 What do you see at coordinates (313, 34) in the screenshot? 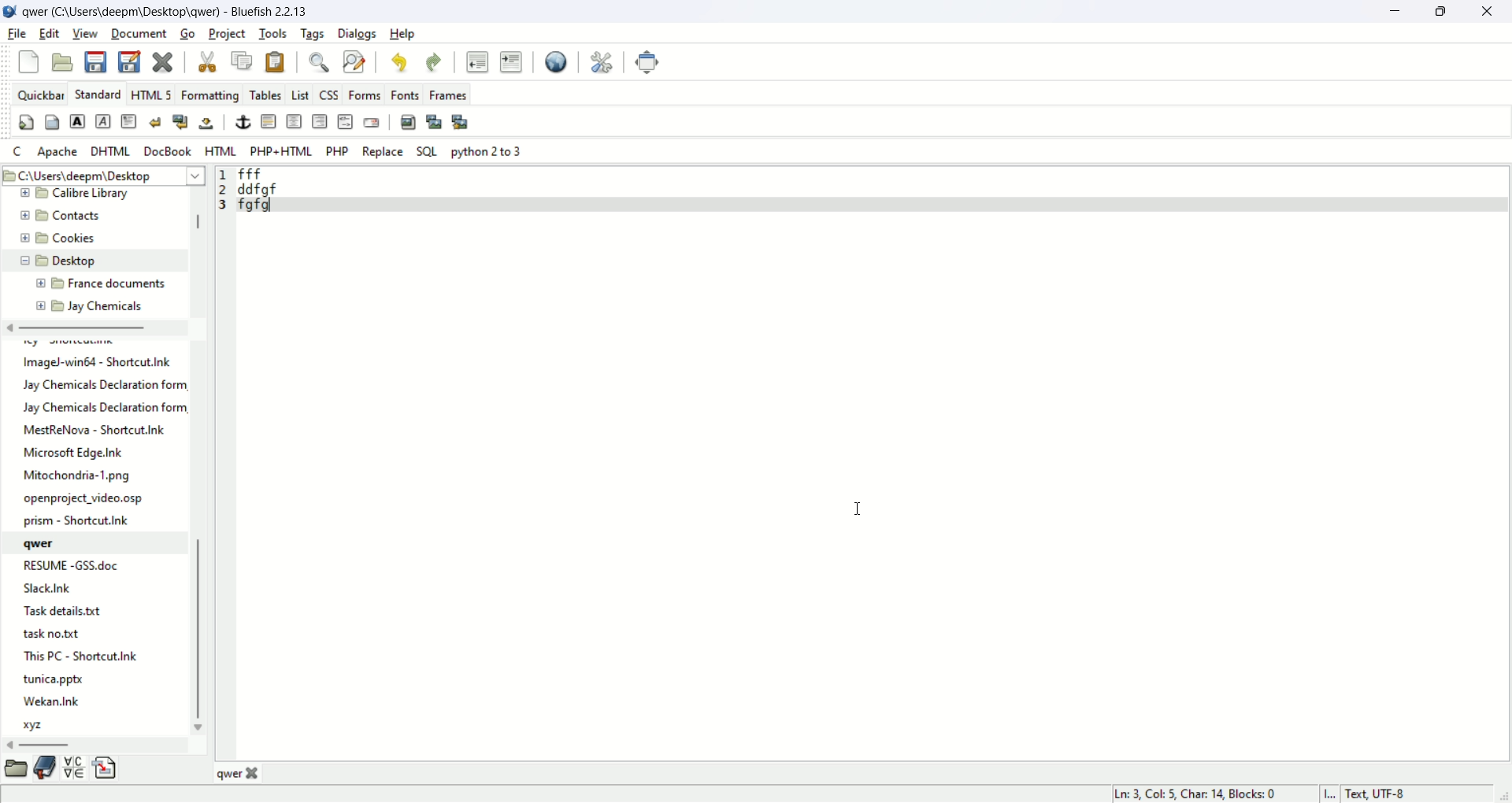
I see `tags` at bounding box center [313, 34].